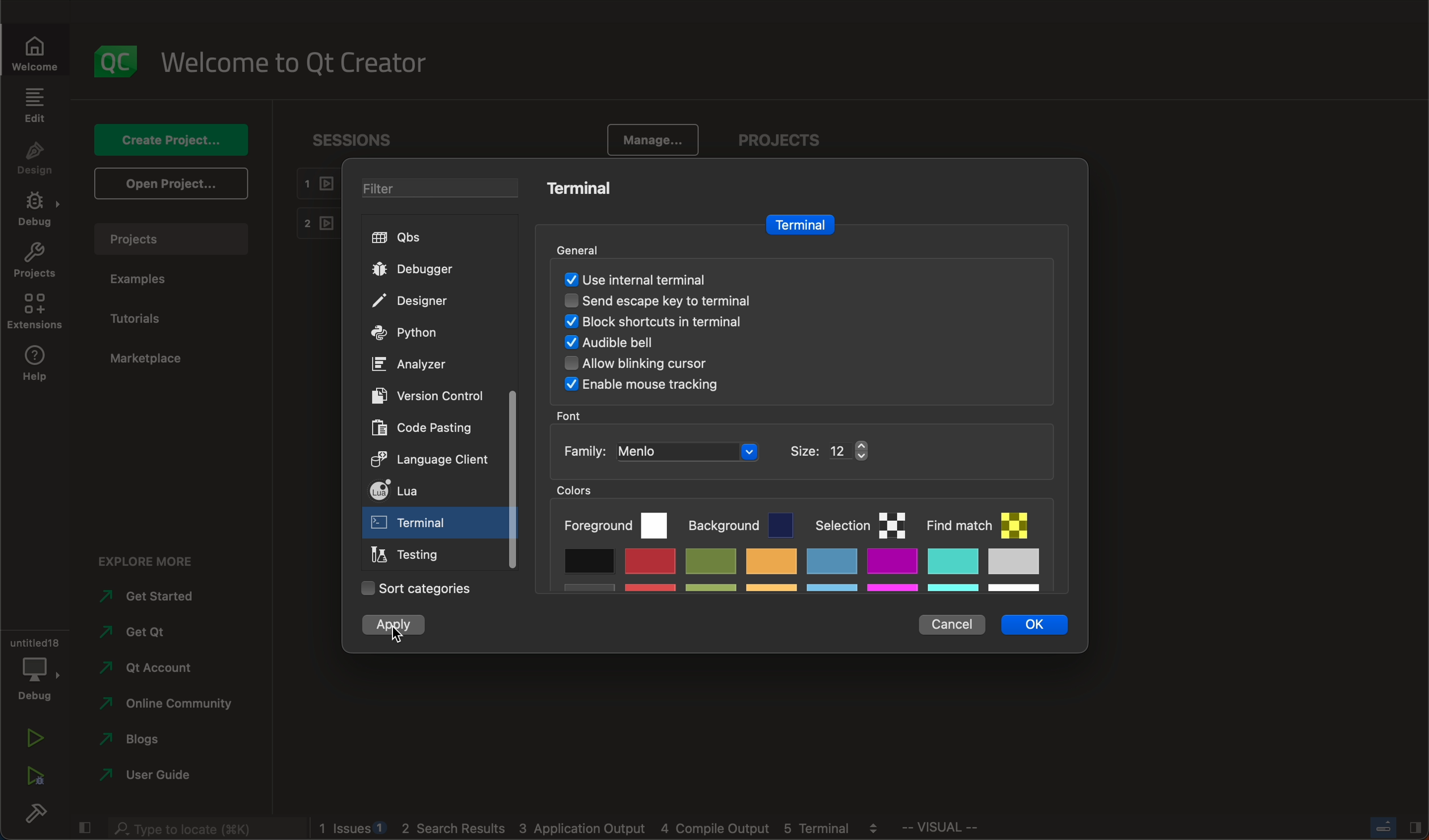 The width and height of the screenshot is (1429, 840). Describe the element at coordinates (778, 136) in the screenshot. I see `projects` at that location.